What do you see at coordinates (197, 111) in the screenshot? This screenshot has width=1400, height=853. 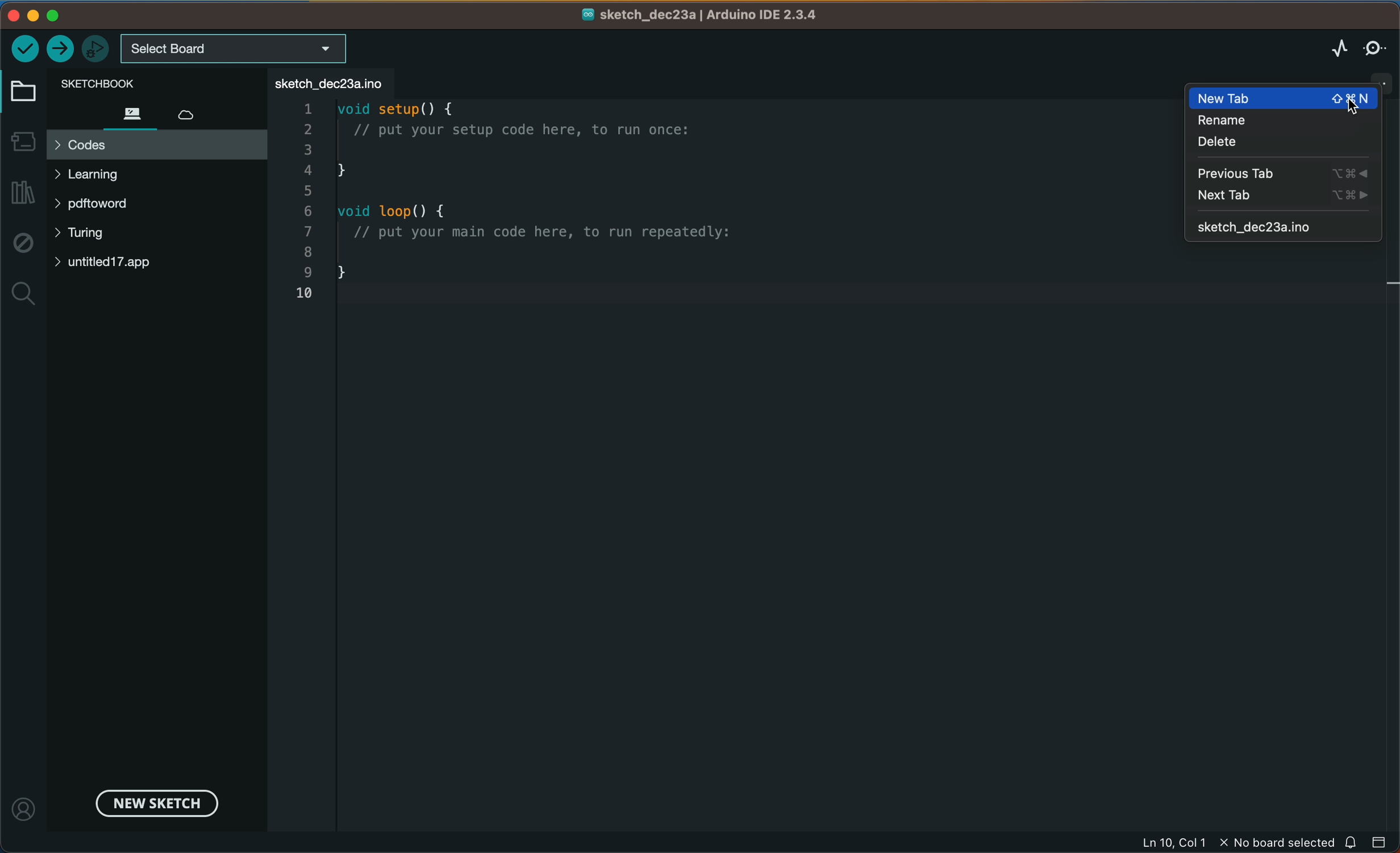 I see `cloud` at bounding box center [197, 111].